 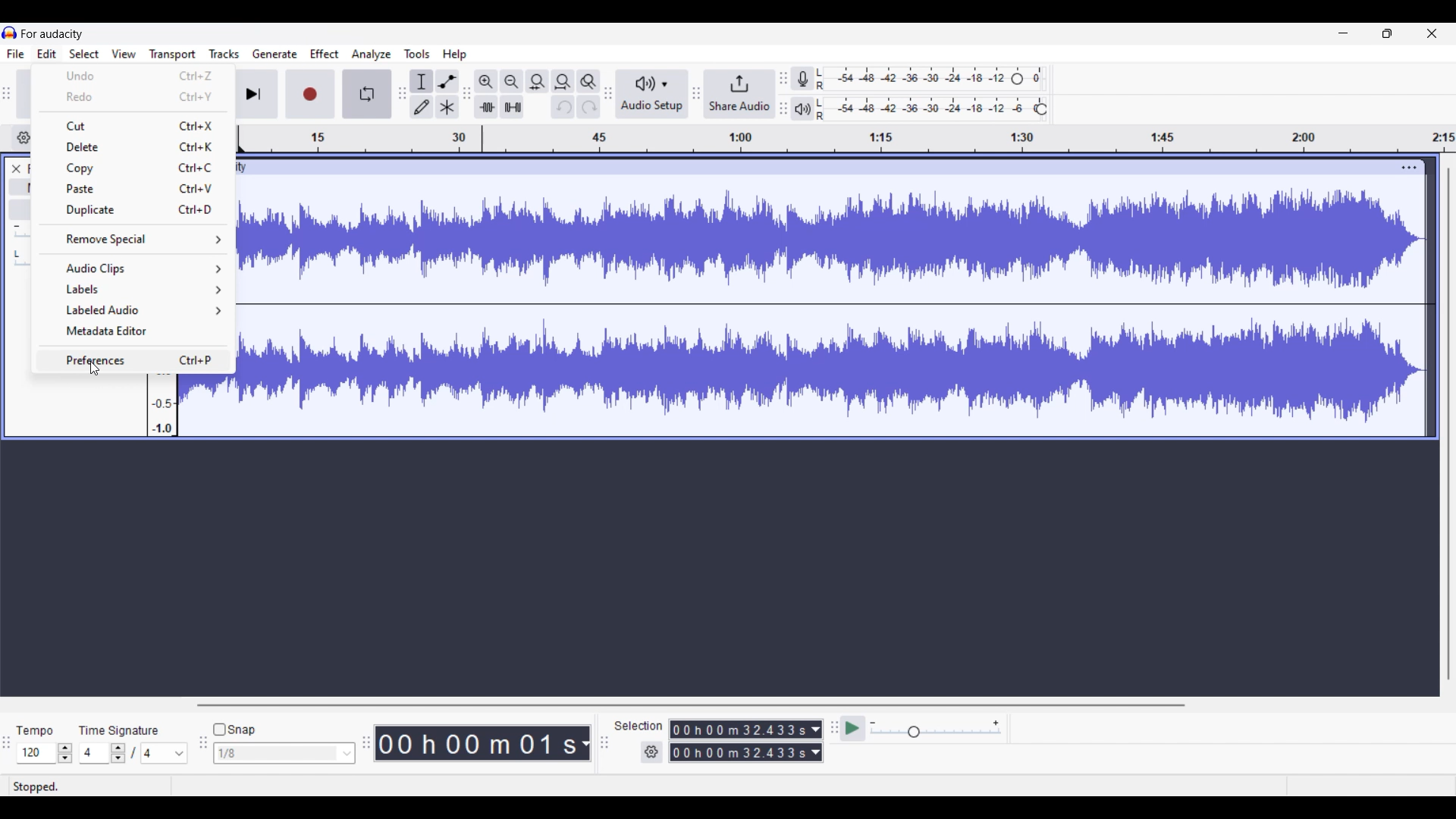 What do you see at coordinates (538, 81) in the screenshot?
I see `Fit selection to width` at bounding box center [538, 81].